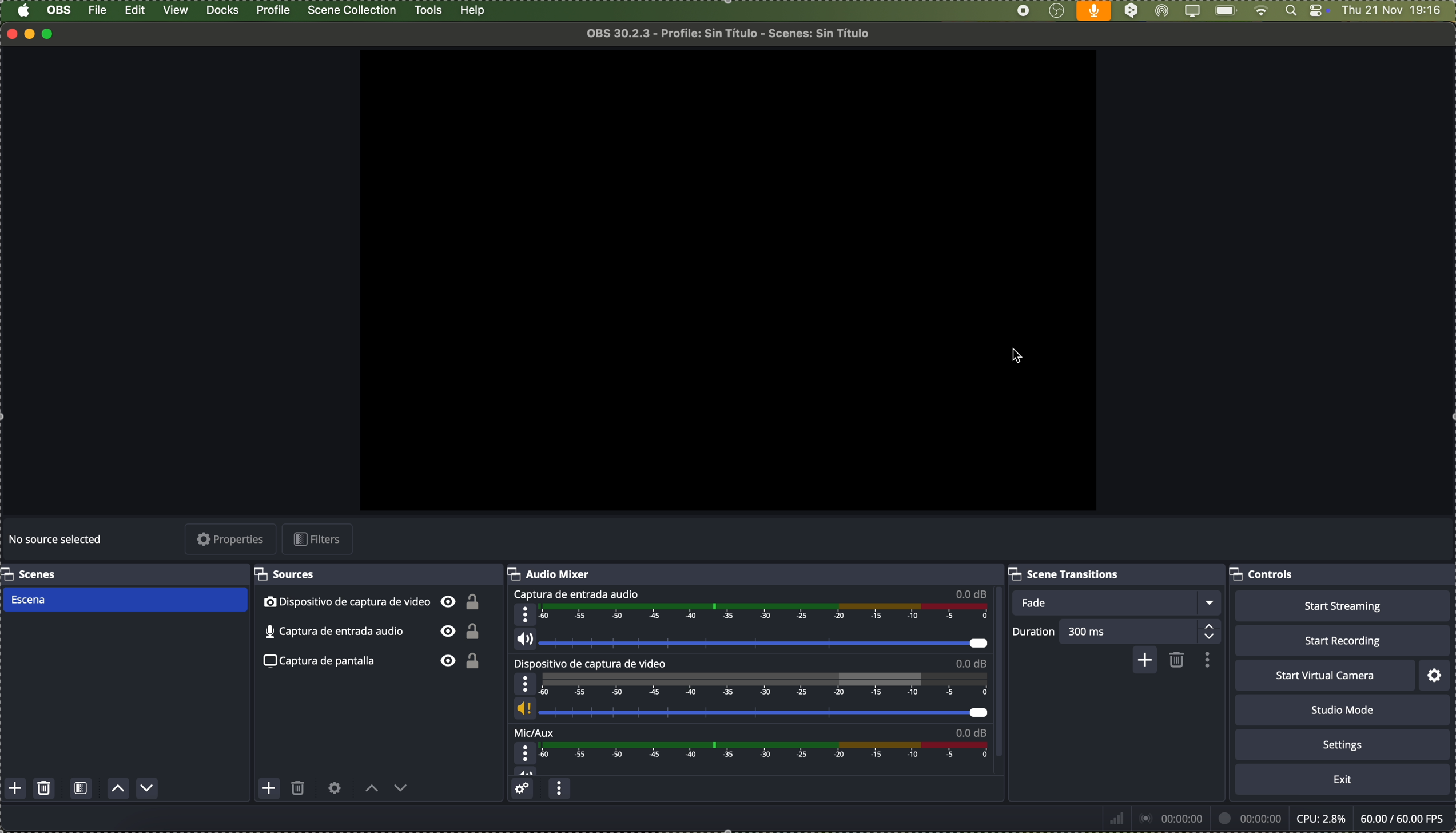  I want to click on Spotlight search, so click(1289, 11).